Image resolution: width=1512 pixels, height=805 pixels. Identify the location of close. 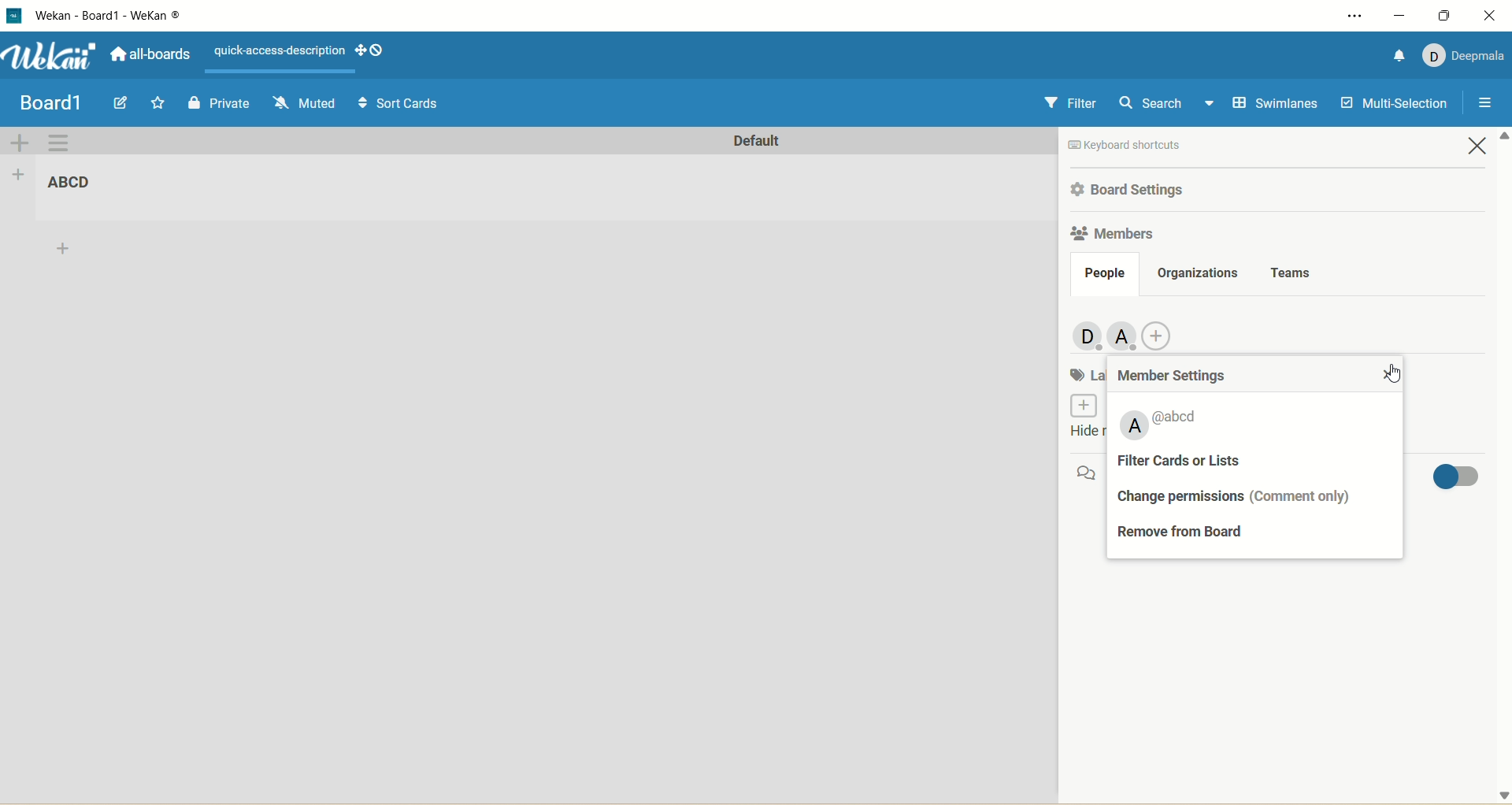
(1395, 372).